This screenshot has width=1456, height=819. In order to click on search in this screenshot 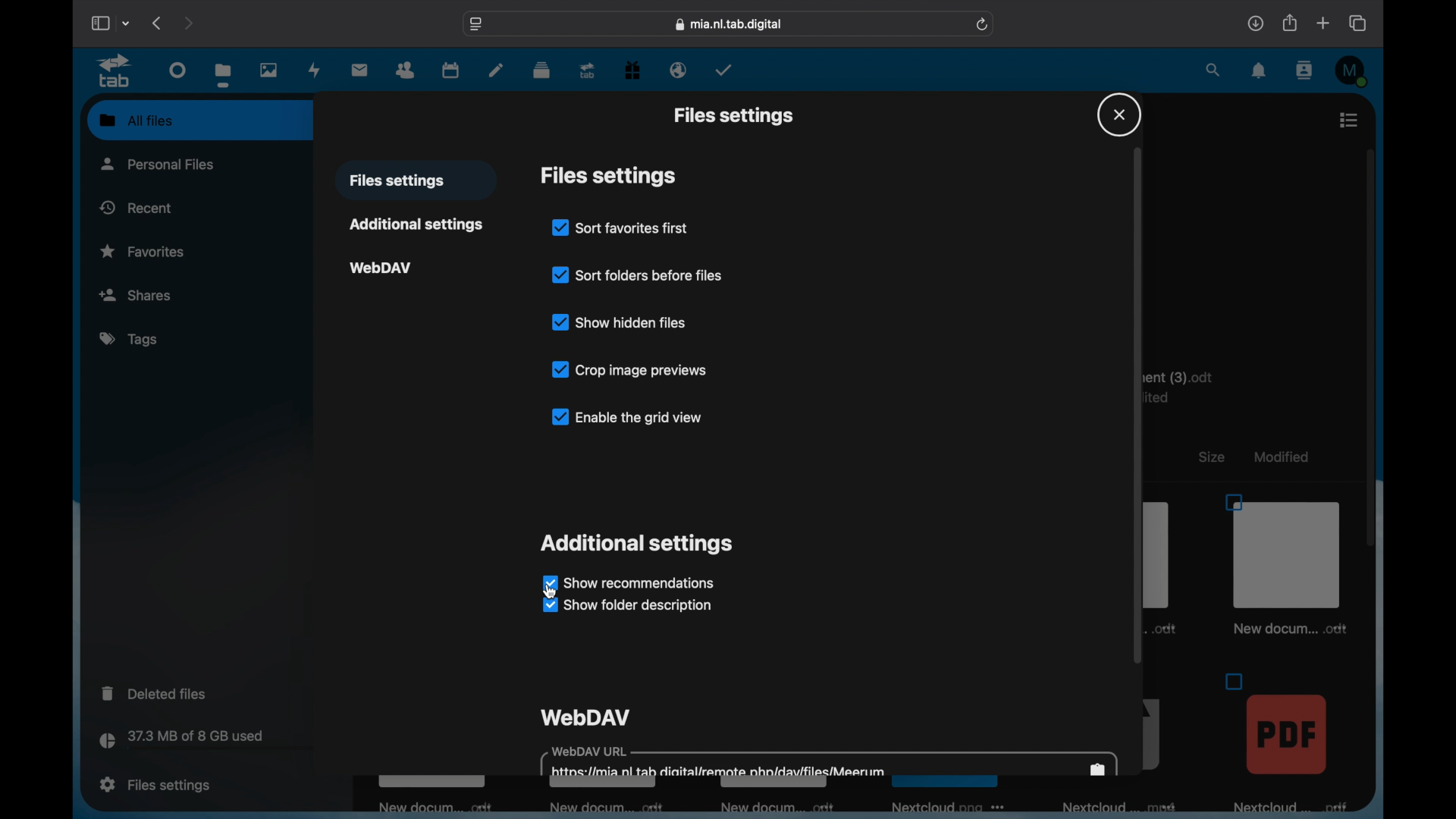, I will do `click(1214, 70)`.